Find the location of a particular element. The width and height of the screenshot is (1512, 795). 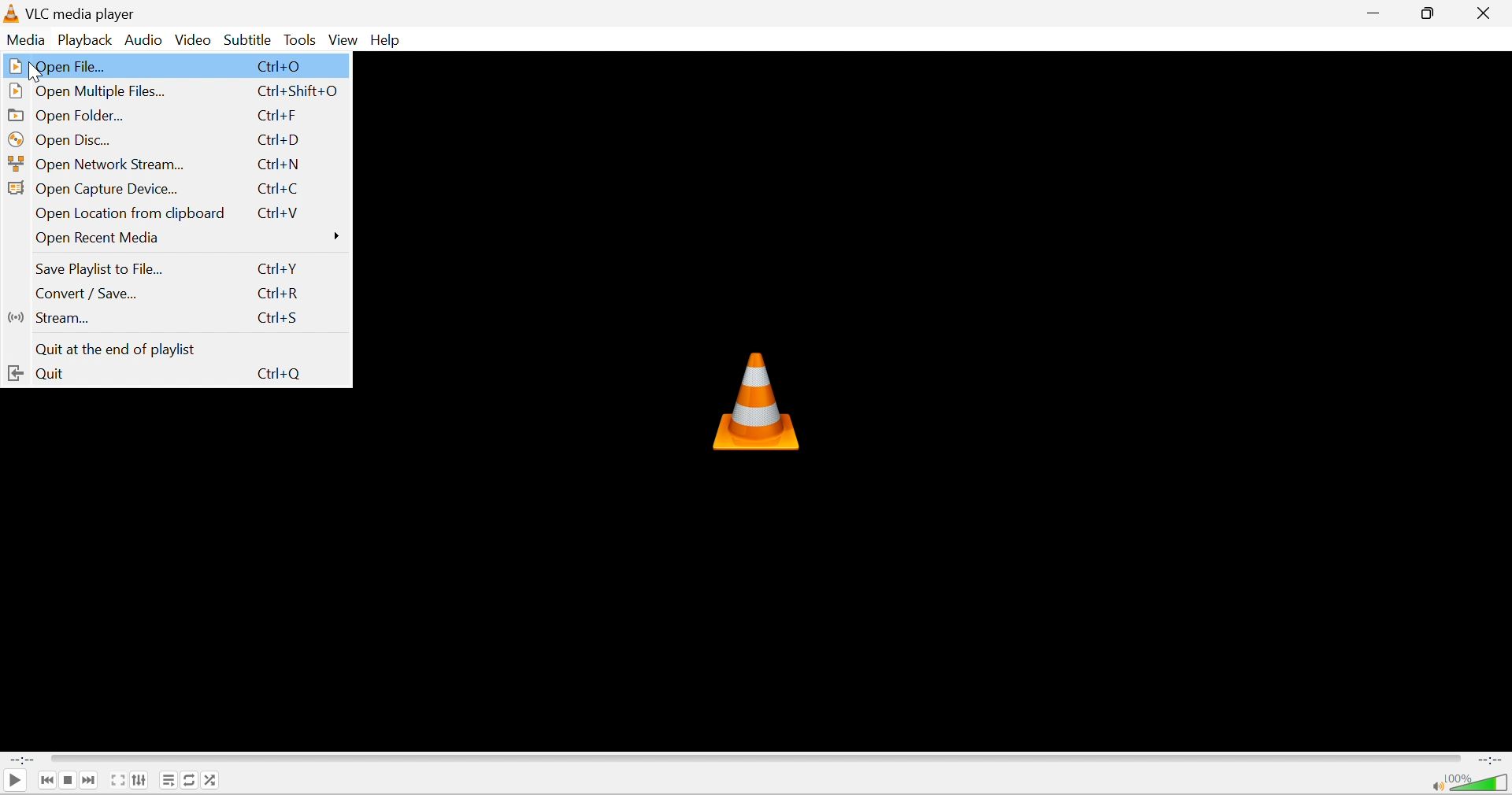

View is located at coordinates (345, 41).